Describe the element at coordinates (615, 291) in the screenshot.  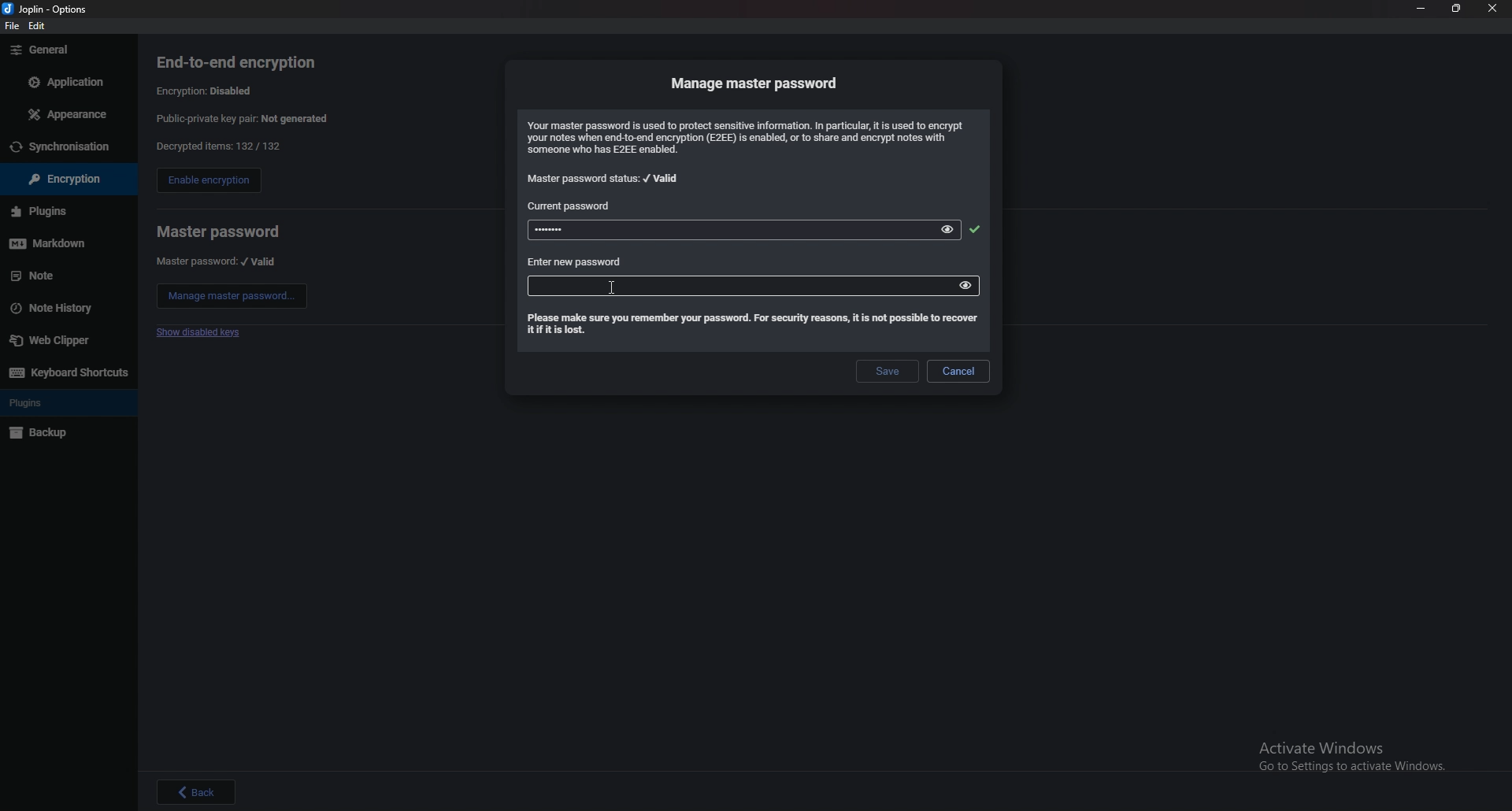
I see `cursor` at that location.